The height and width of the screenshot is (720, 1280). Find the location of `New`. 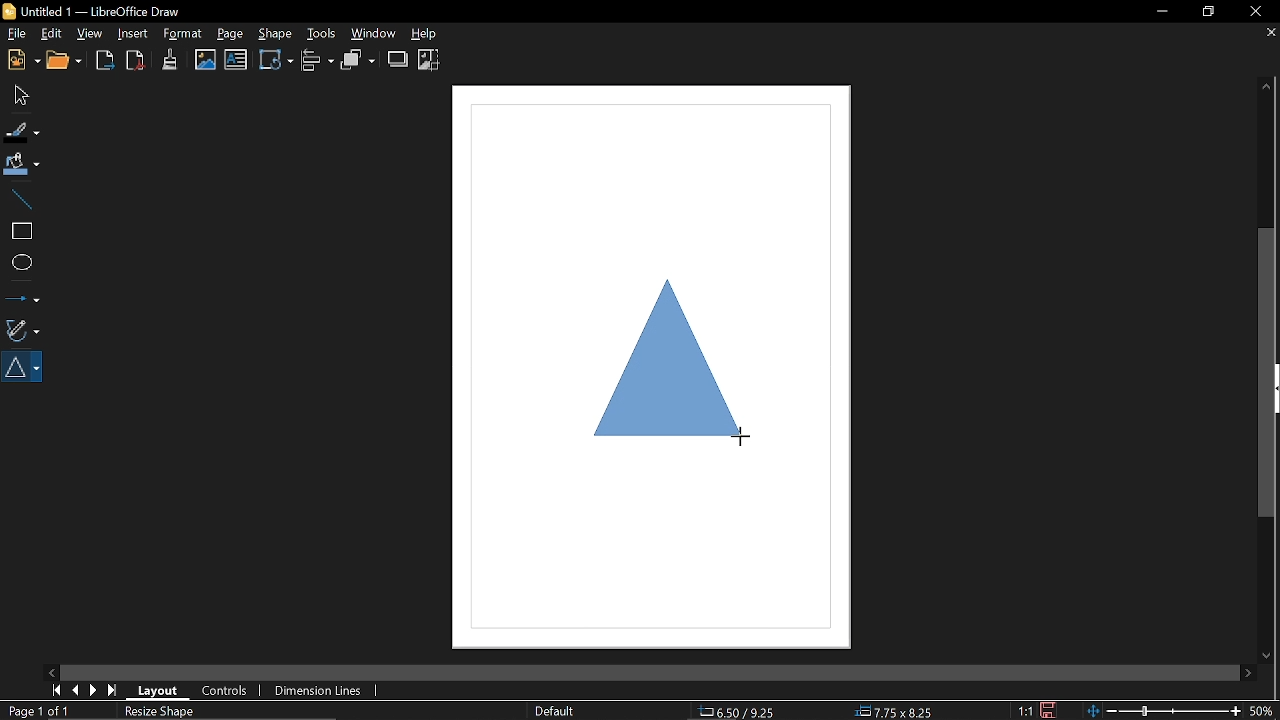

New is located at coordinates (21, 61).